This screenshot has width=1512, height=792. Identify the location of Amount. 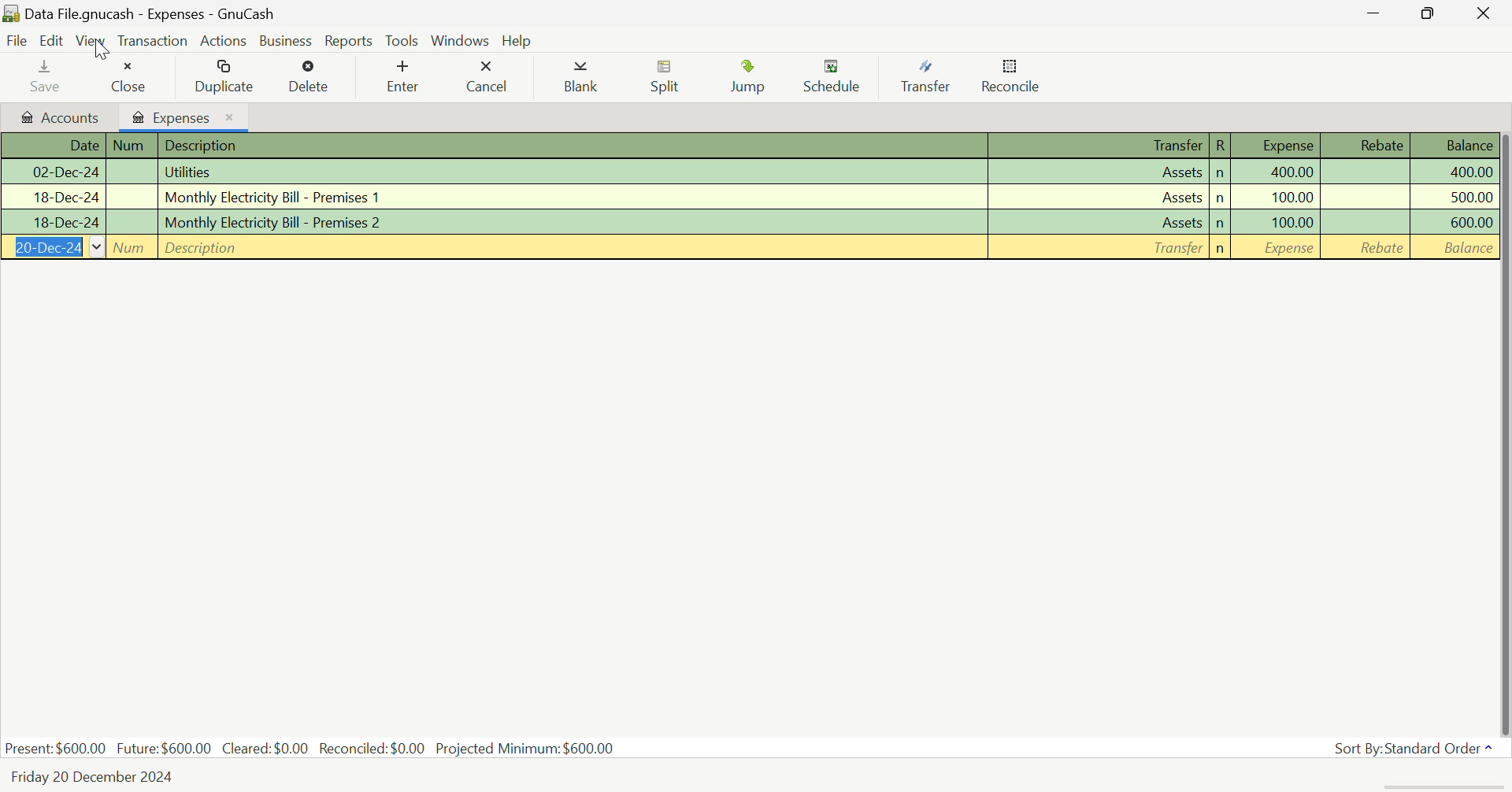
(1291, 248).